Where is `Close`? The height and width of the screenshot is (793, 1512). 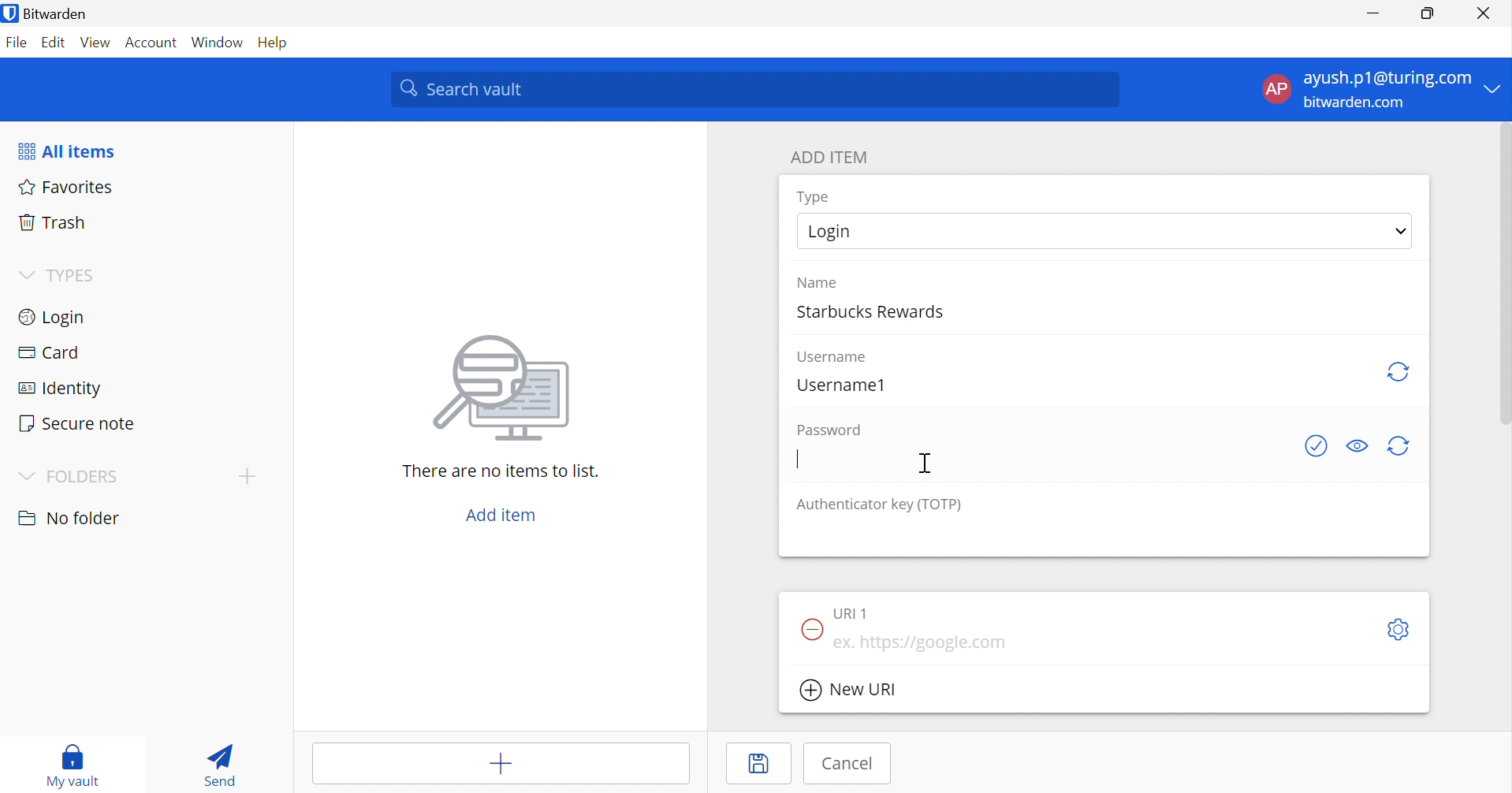
Close is located at coordinates (1486, 13).